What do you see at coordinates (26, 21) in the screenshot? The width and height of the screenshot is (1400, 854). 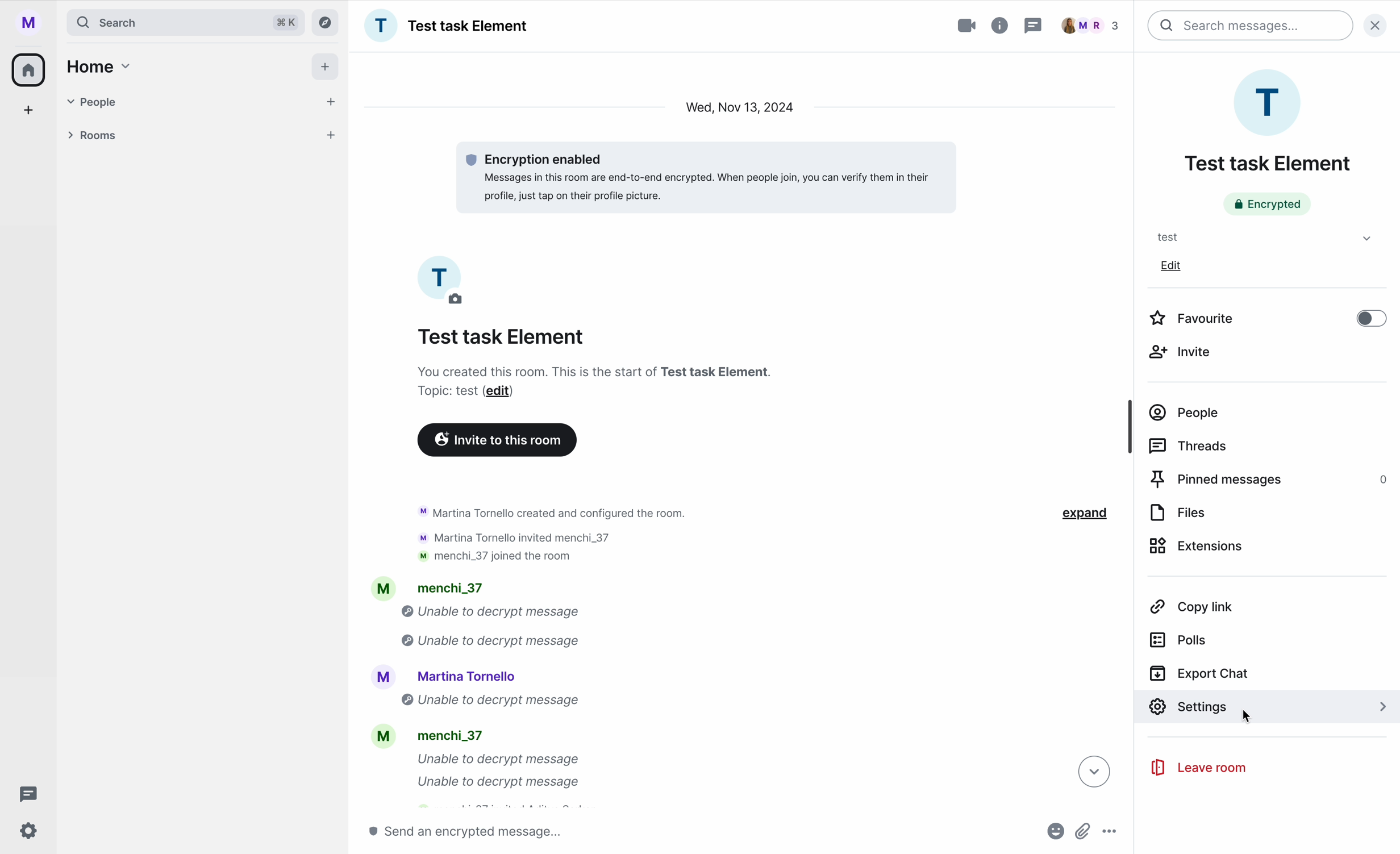 I see `profile` at bounding box center [26, 21].